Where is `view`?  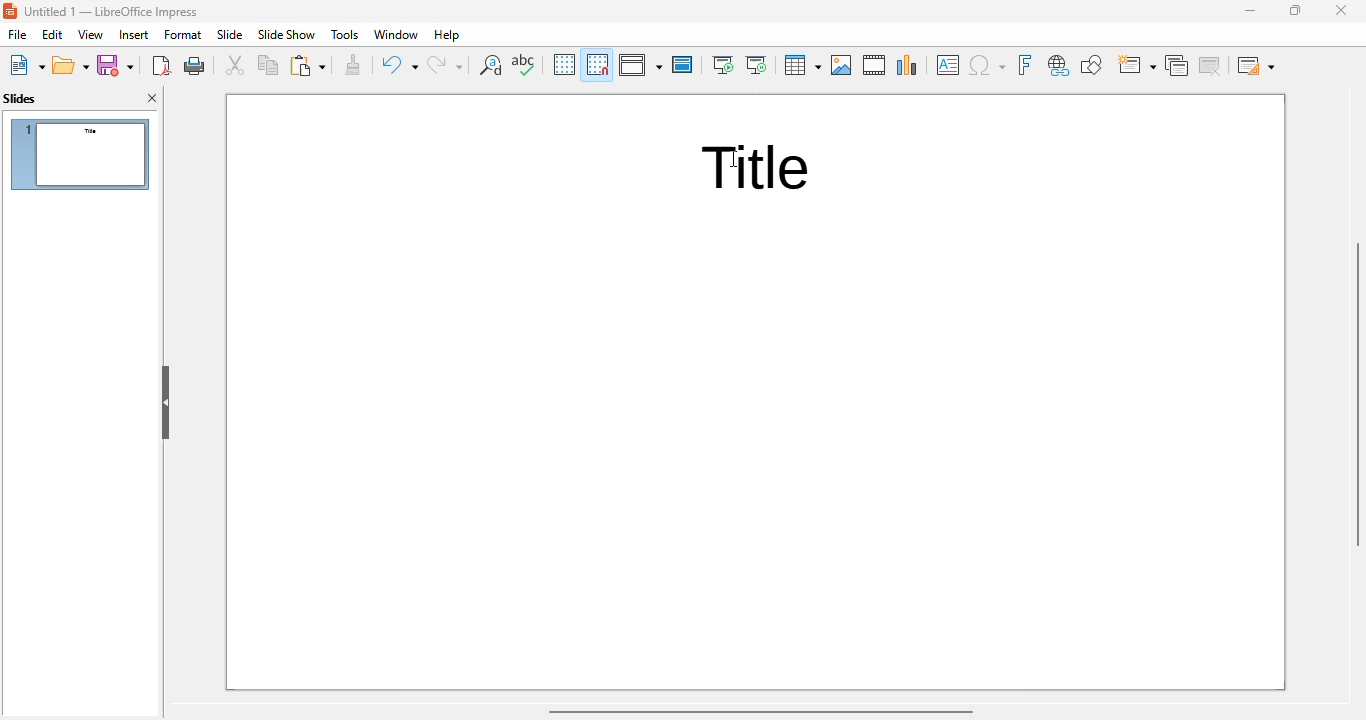
view is located at coordinates (90, 35).